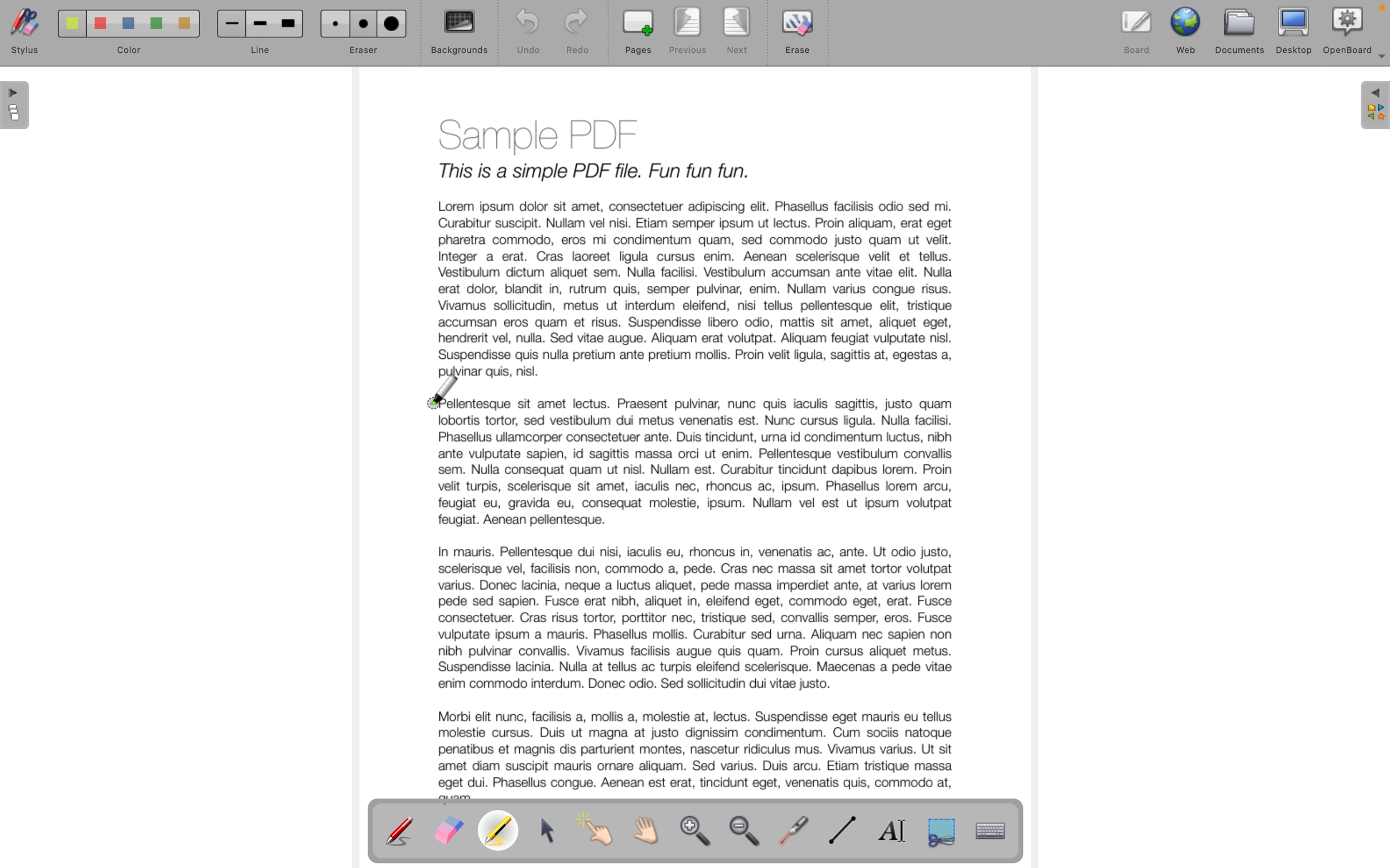 The width and height of the screenshot is (1390, 868). I want to click on board, so click(1137, 29).